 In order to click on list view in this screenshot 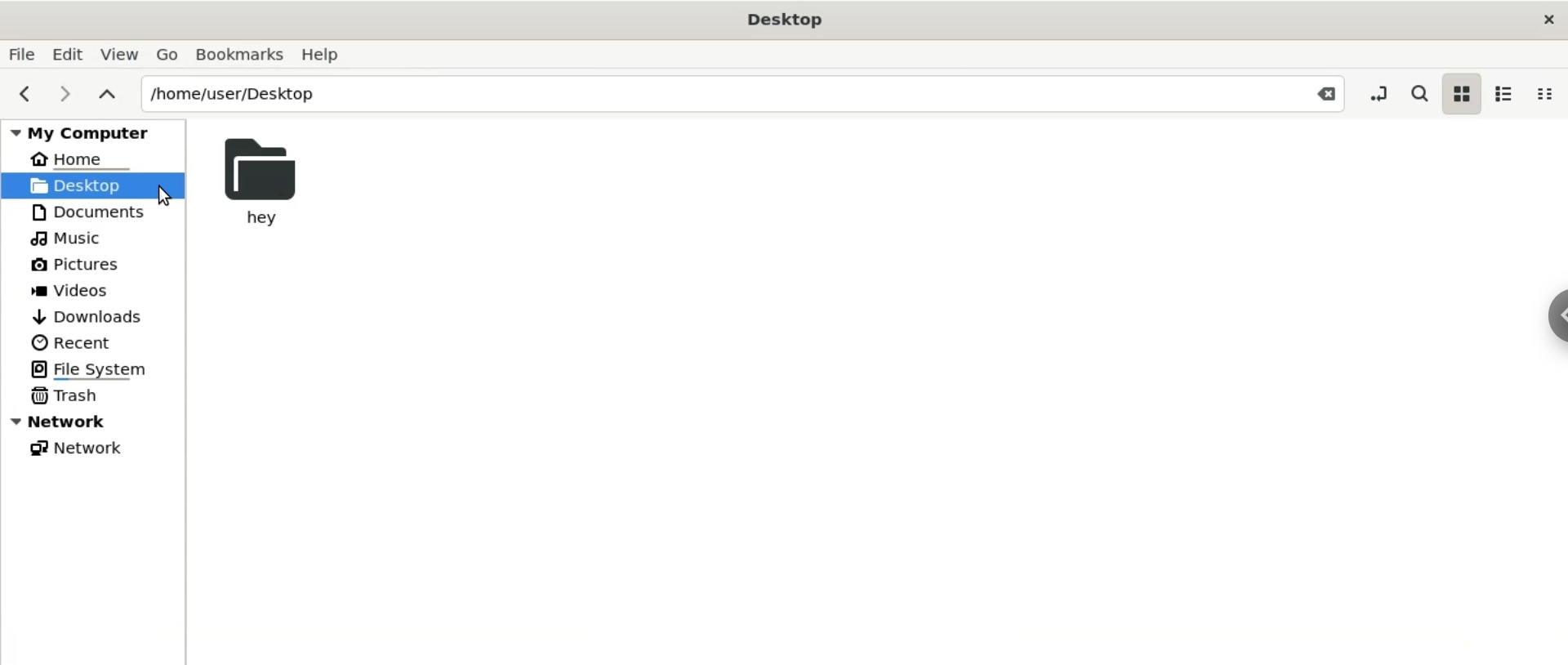, I will do `click(1507, 96)`.